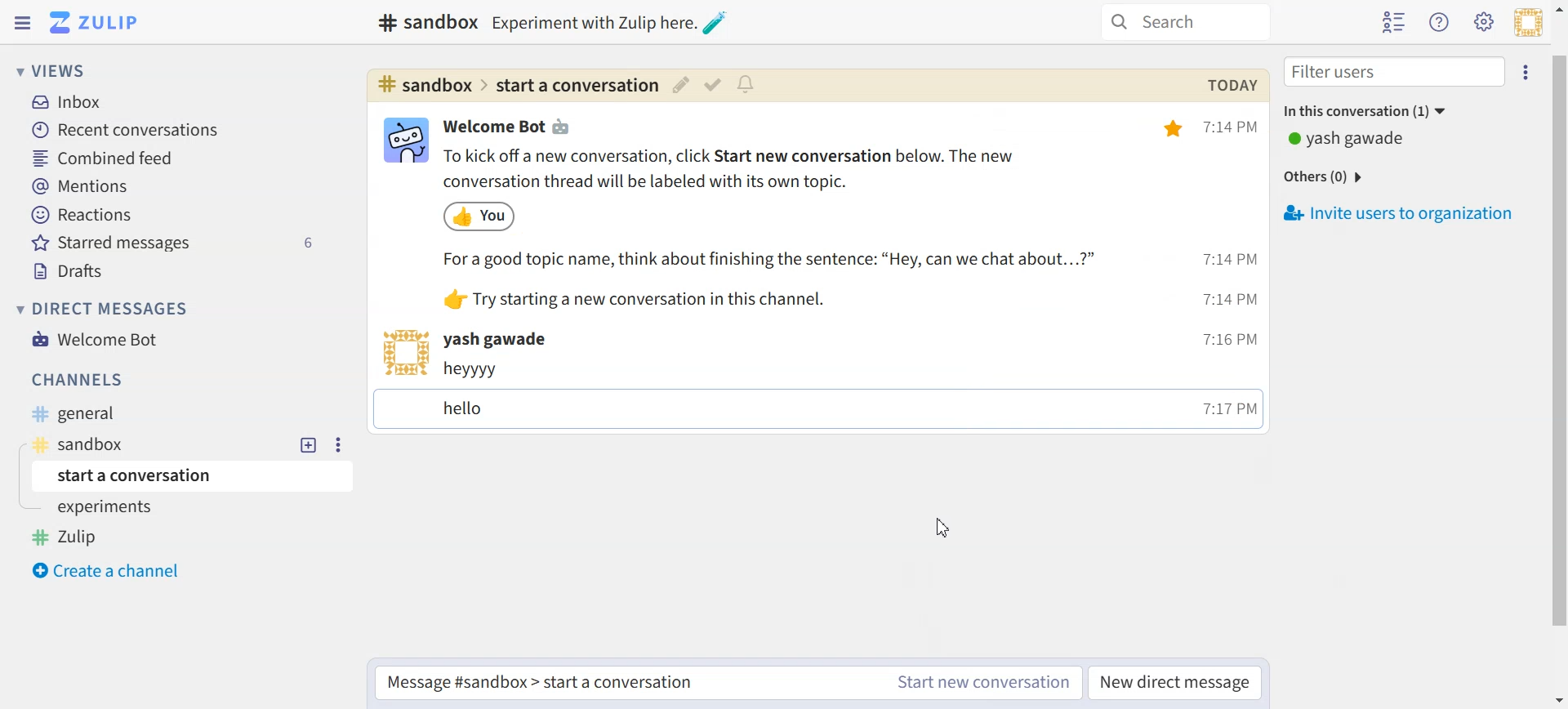  Describe the element at coordinates (802, 396) in the screenshot. I see `Text` at that location.